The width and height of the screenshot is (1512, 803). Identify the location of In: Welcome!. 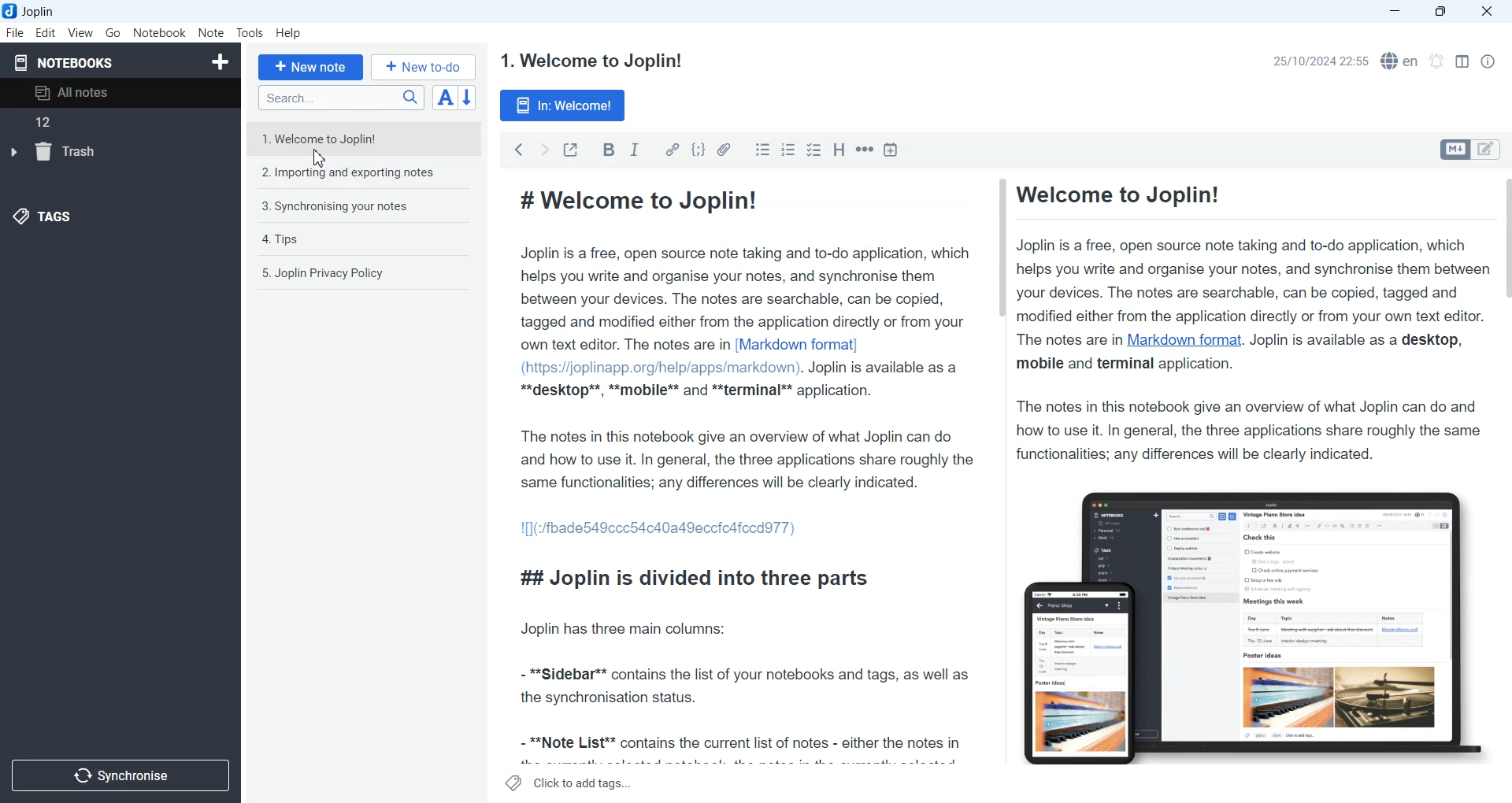
(563, 105).